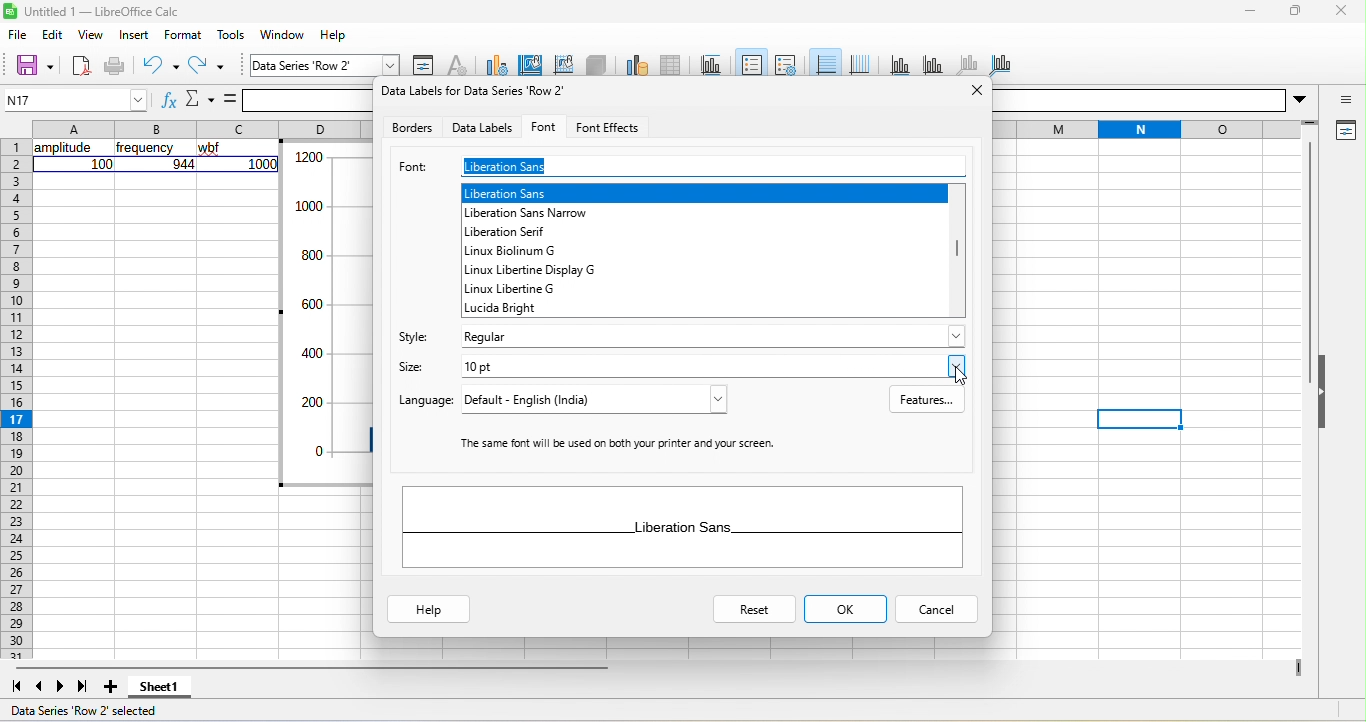 This screenshot has width=1366, height=722. I want to click on hide, so click(1324, 396).